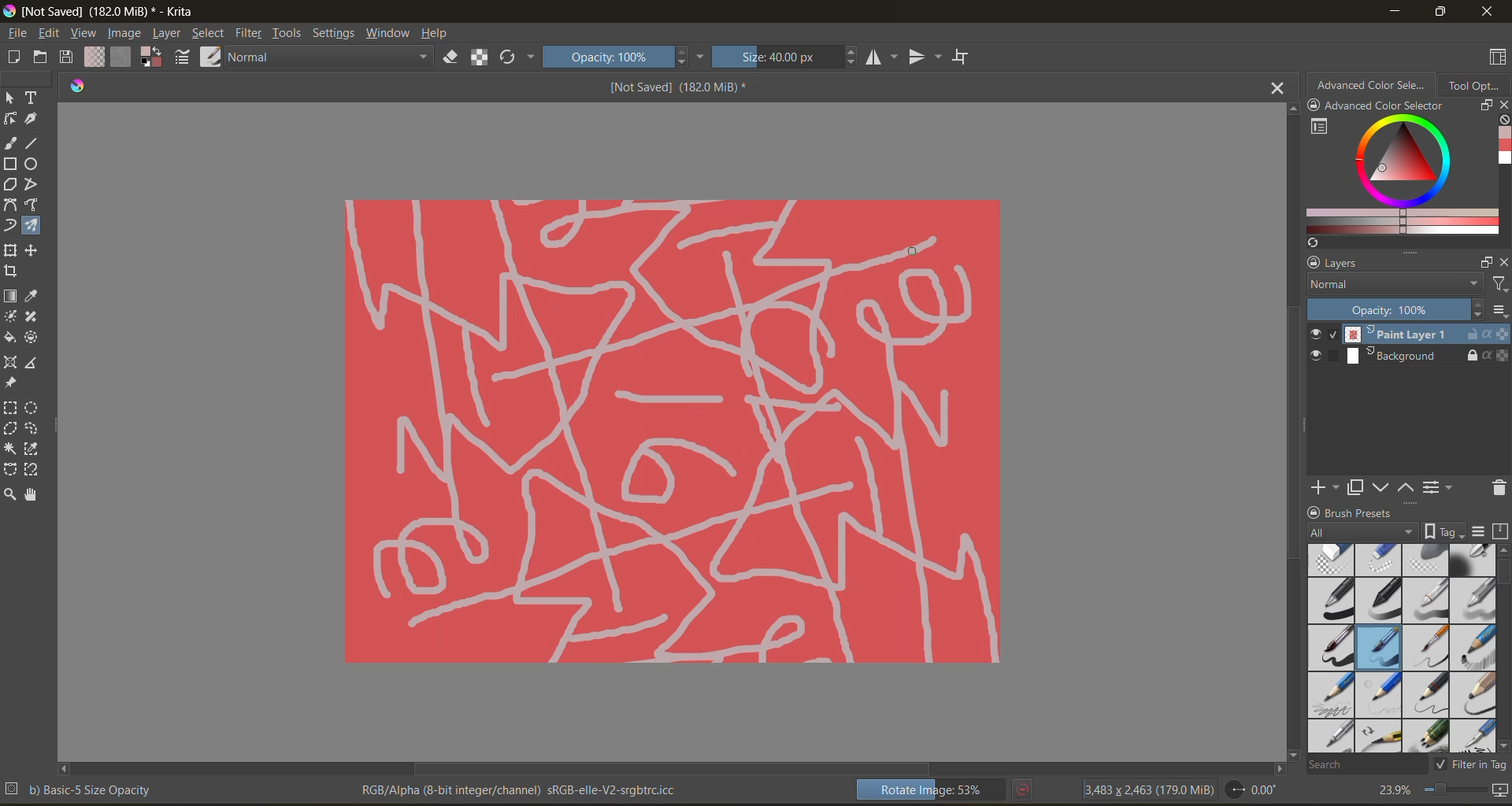 The image size is (1512, 806). Describe the element at coordinates (83, 34) in the screenshot. I see `view` at that location.